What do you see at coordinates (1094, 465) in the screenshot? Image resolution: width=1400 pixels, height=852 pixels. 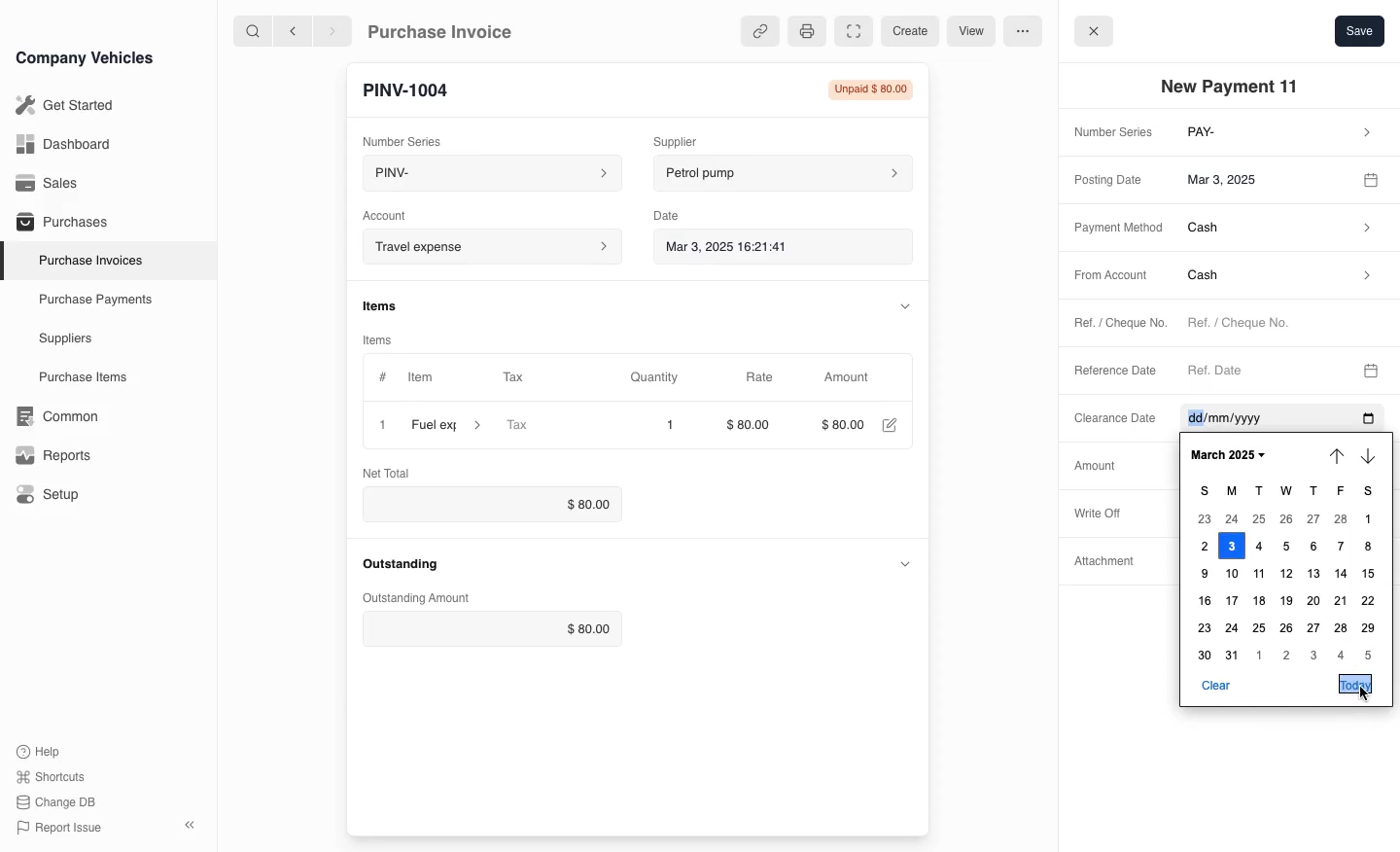 I see `Amount` at bounding box center [1094, 465].